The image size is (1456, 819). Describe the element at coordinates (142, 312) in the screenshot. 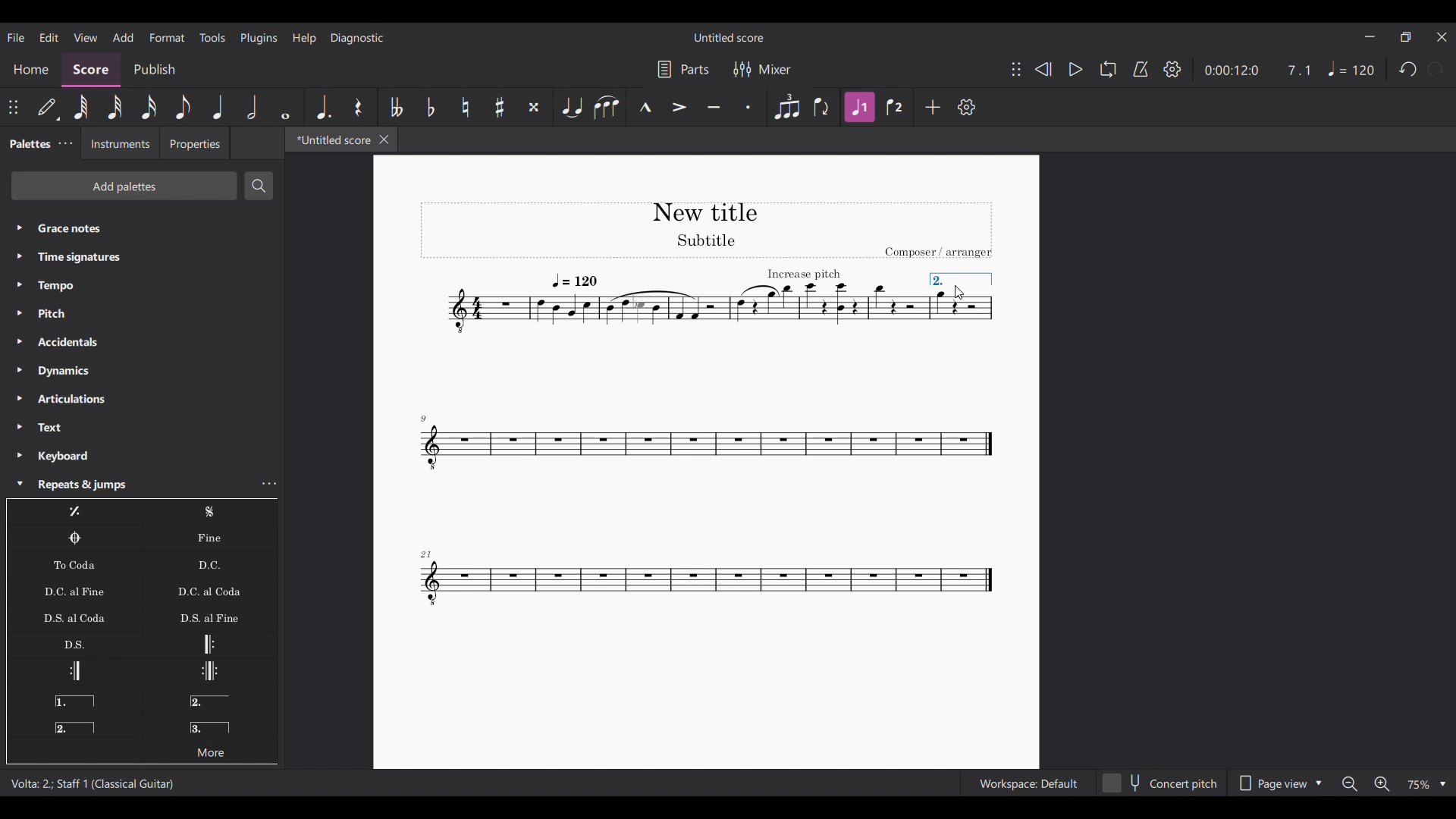

I see `Pitch` at that location.